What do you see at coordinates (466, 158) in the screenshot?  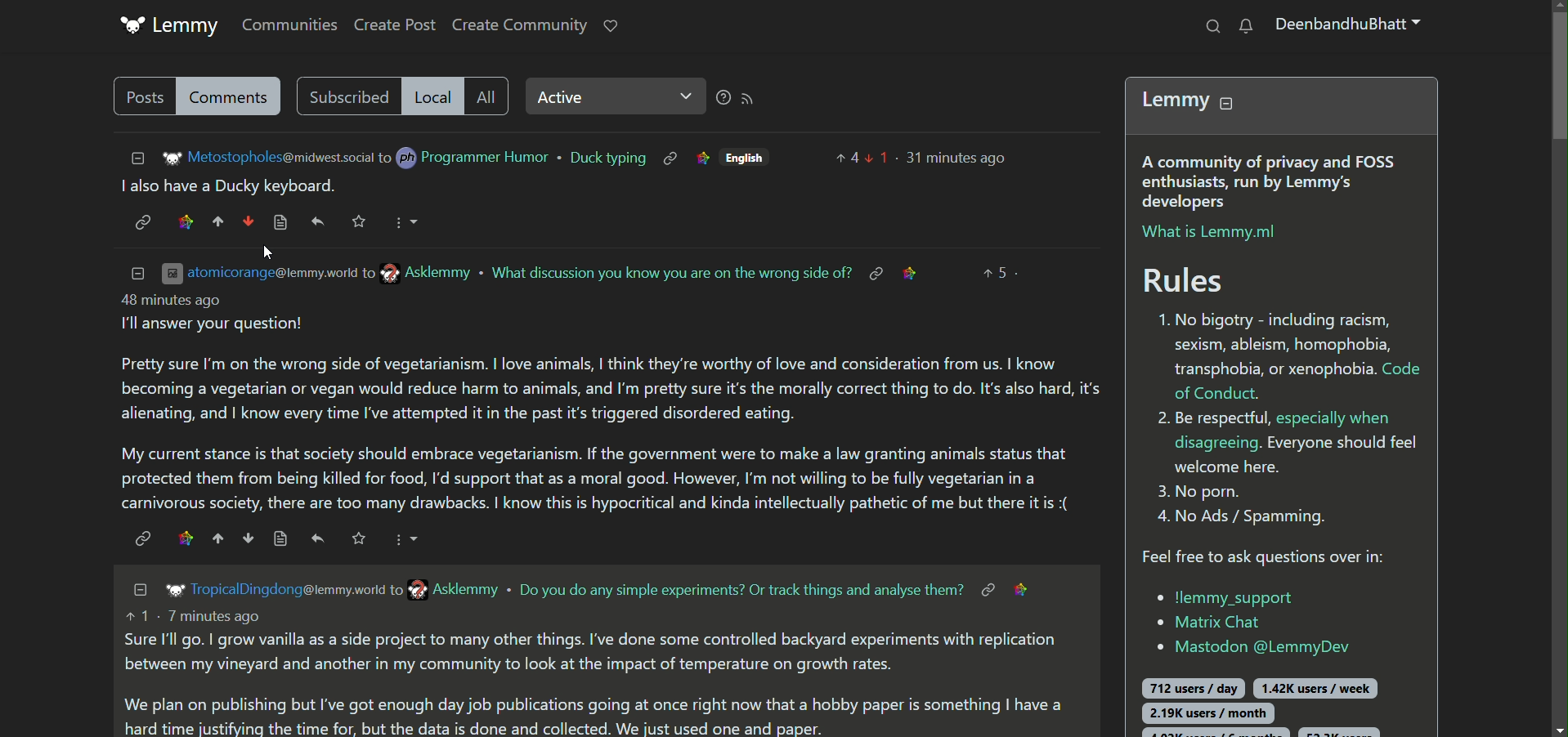 I see `user name` at bounding box center [466, 158].